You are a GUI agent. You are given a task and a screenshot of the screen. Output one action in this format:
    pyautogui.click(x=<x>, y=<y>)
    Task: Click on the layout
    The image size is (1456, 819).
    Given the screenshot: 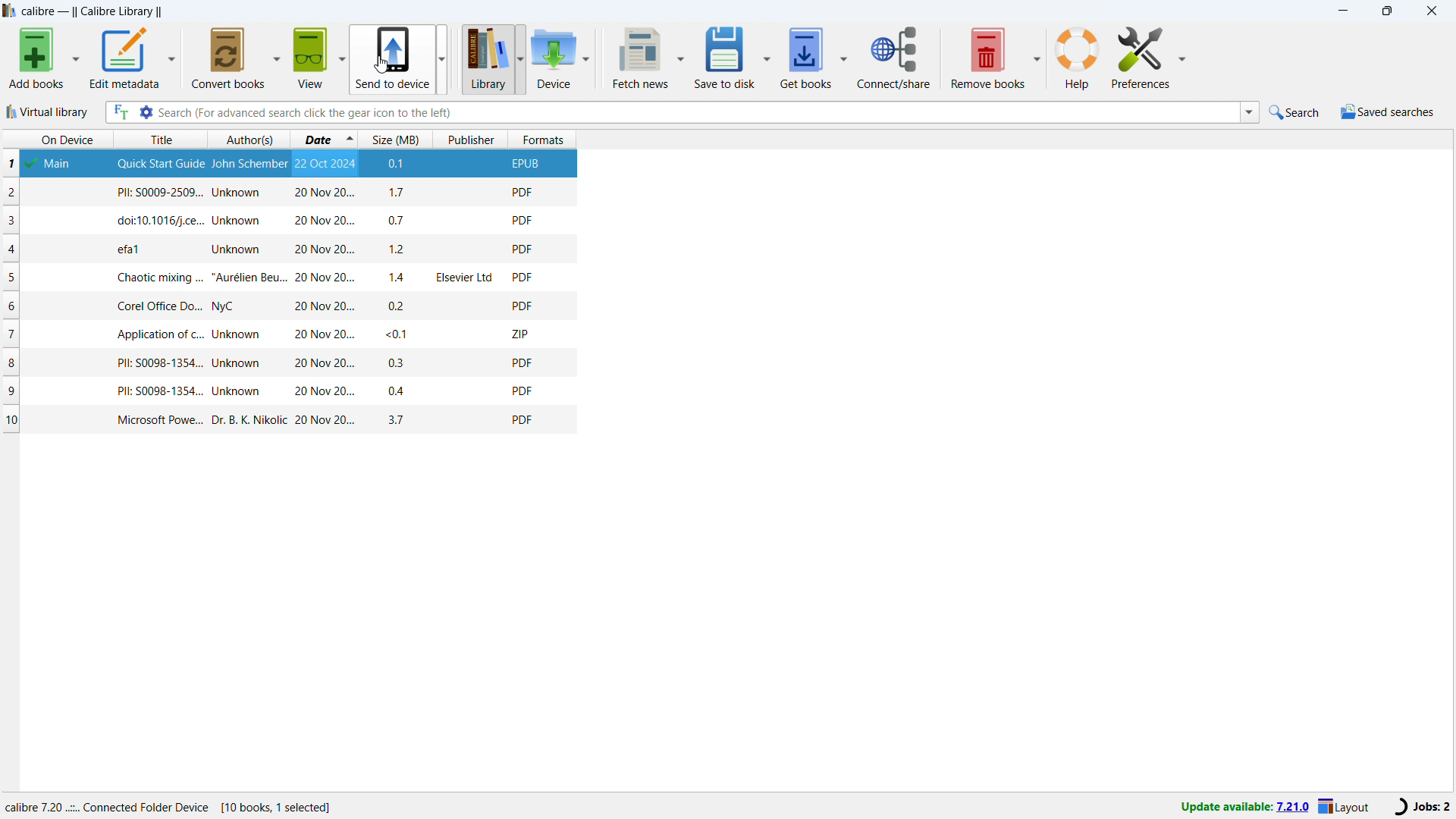 What is the action you would take?
    pyautogui.click(x=1346, y=806)
    